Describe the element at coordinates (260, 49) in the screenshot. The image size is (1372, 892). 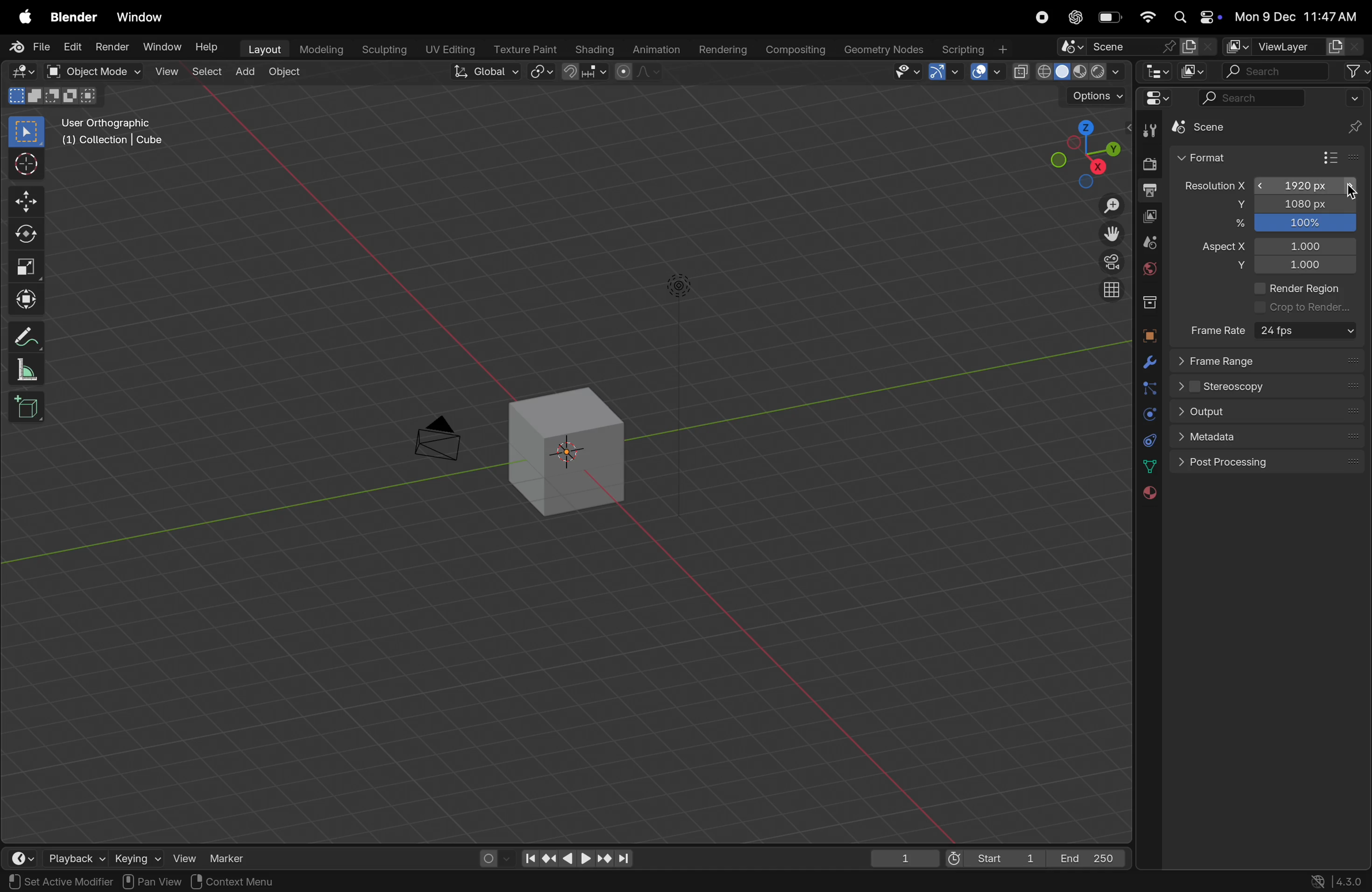
I see `layout` at that location.